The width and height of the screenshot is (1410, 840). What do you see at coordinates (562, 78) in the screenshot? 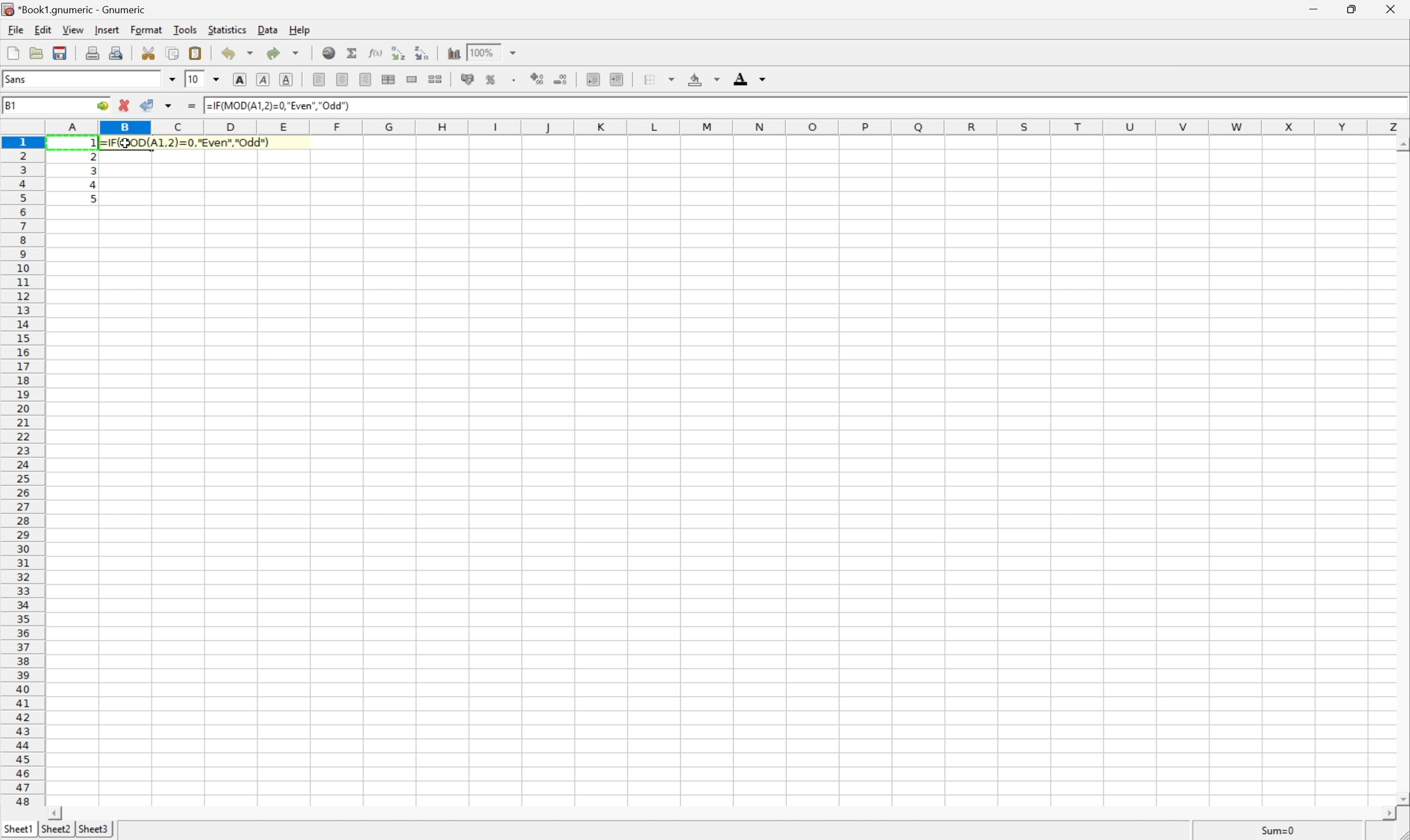
I see `Decrease the decimals displayed` at bounding box center [562, 78].